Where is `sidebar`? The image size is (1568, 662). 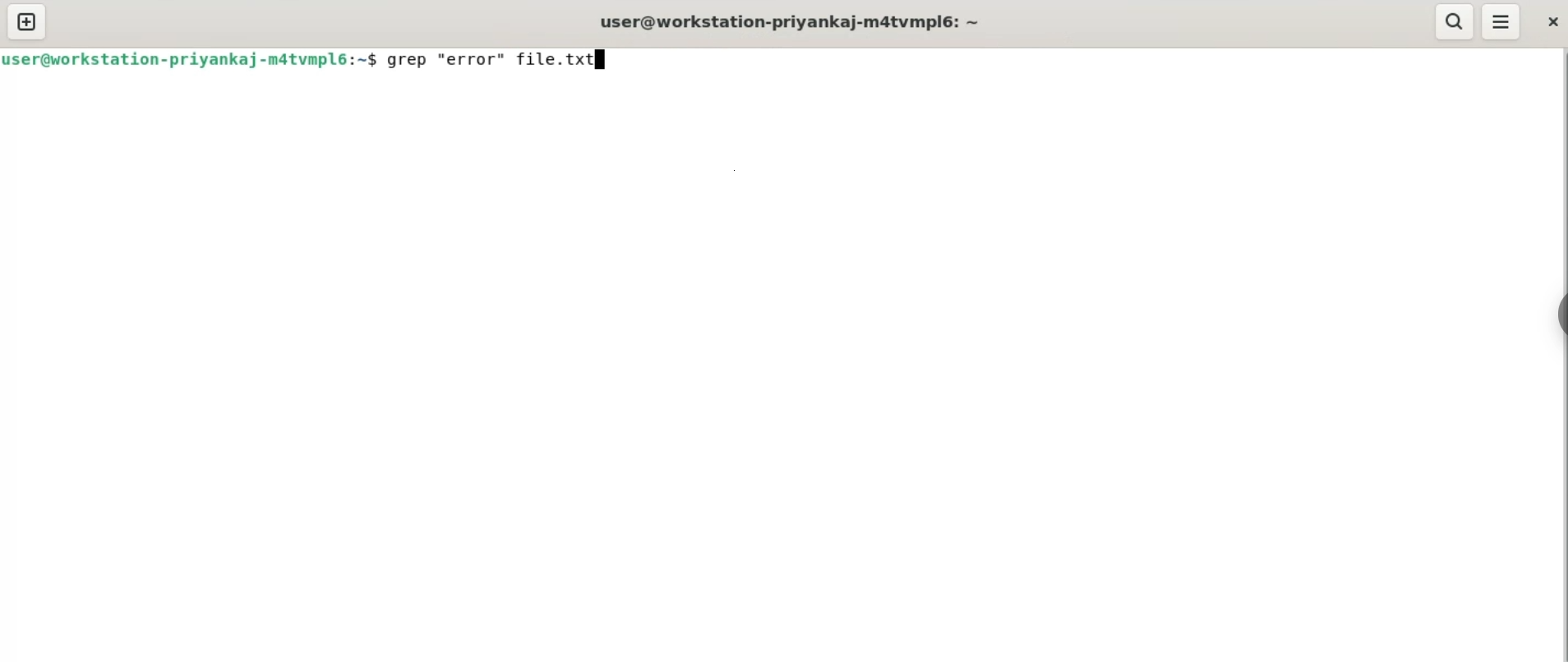 sidebar is located at coordinates (1558, 315).